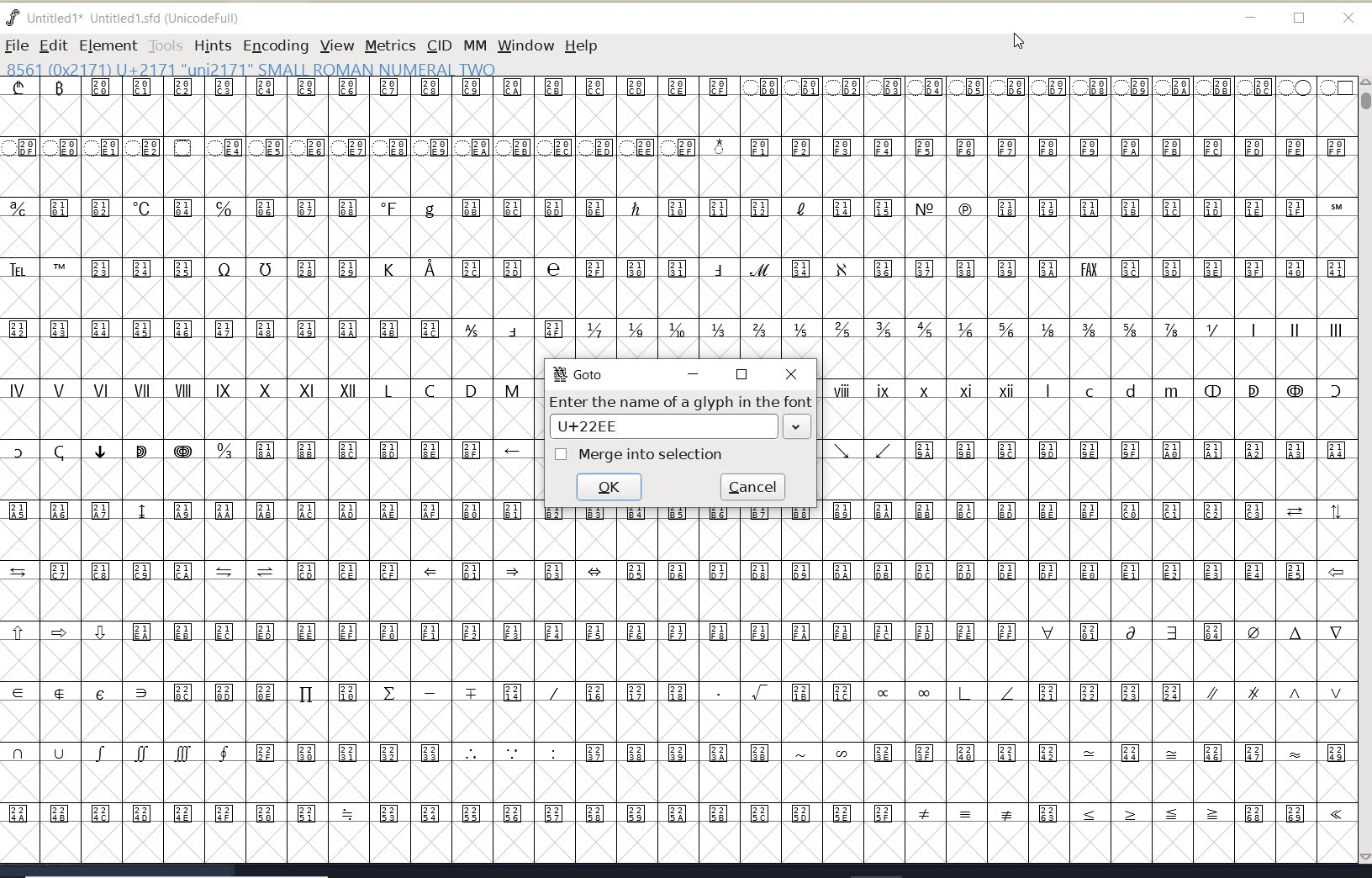 Image resolution: width=1372 pixels, height=878 pixels. What do you see at coordinates (16, 45) in the screenshot?
I see `FILE` at bounding box center [16, 45].